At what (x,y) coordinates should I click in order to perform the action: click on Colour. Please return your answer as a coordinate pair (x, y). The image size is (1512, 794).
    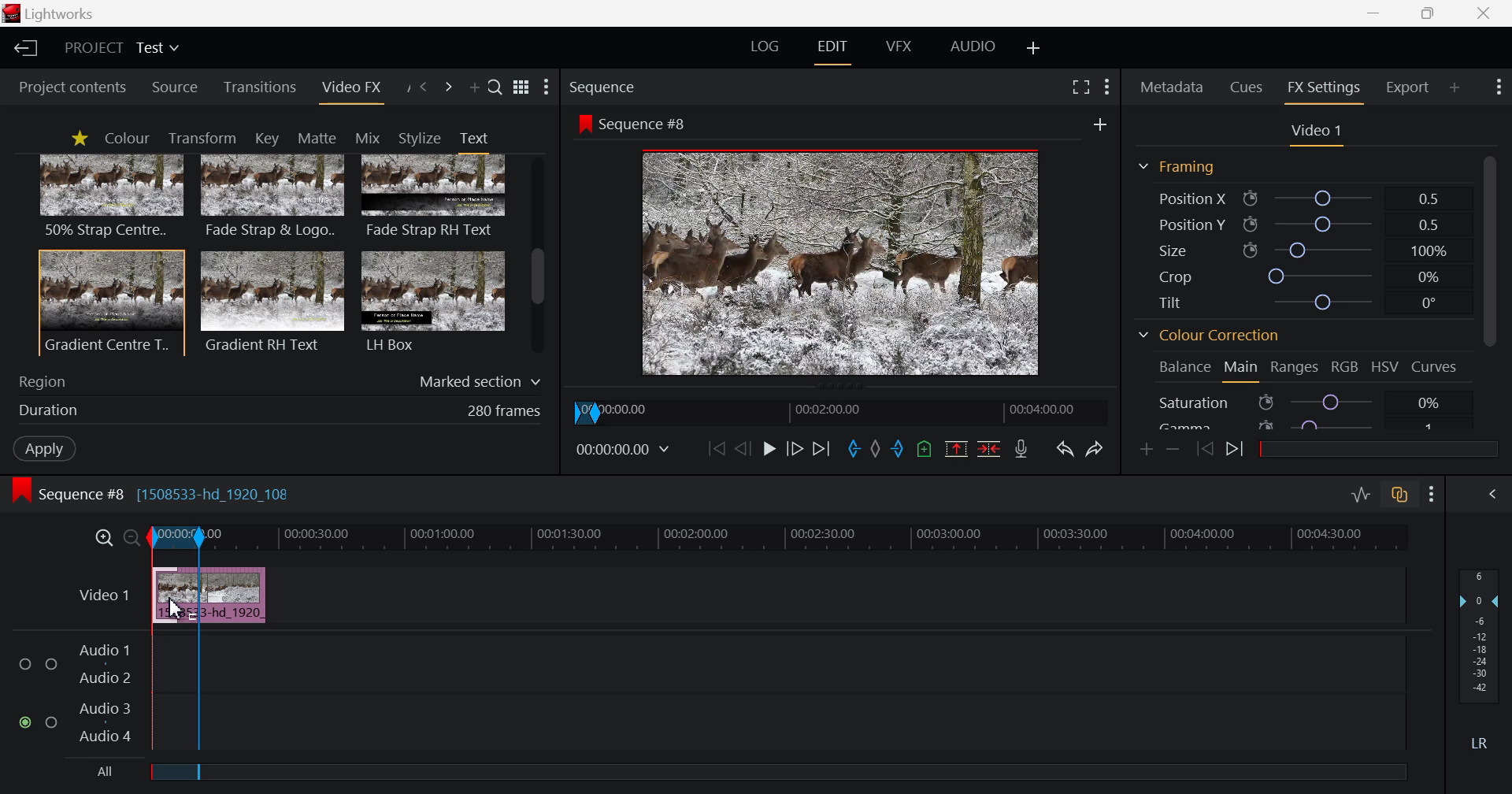
    Looking at the image, I should click on (126, 139).